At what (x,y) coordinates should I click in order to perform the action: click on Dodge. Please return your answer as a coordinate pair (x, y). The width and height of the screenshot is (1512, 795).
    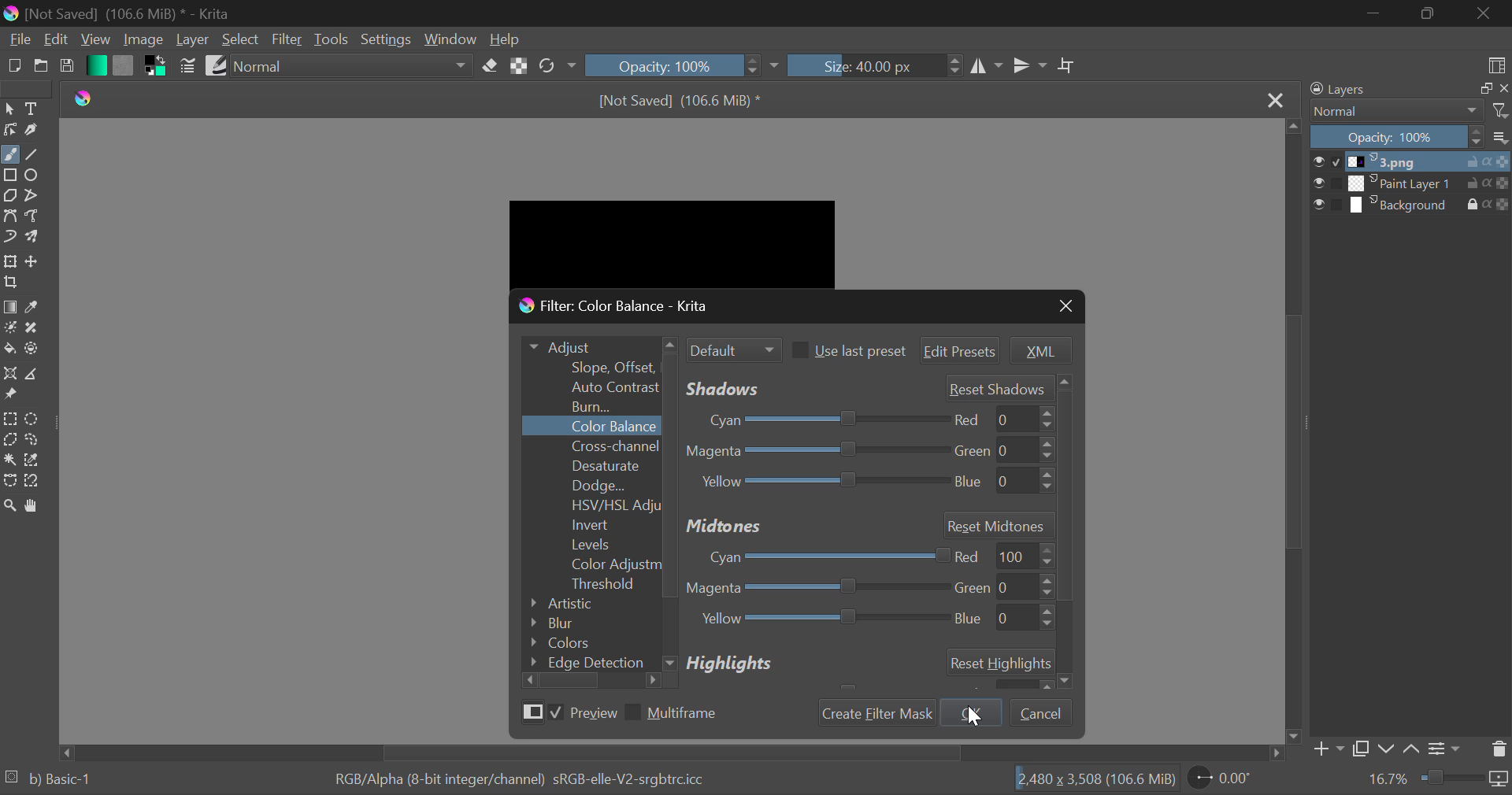
    Looking at the image, I should click on (591, 485).